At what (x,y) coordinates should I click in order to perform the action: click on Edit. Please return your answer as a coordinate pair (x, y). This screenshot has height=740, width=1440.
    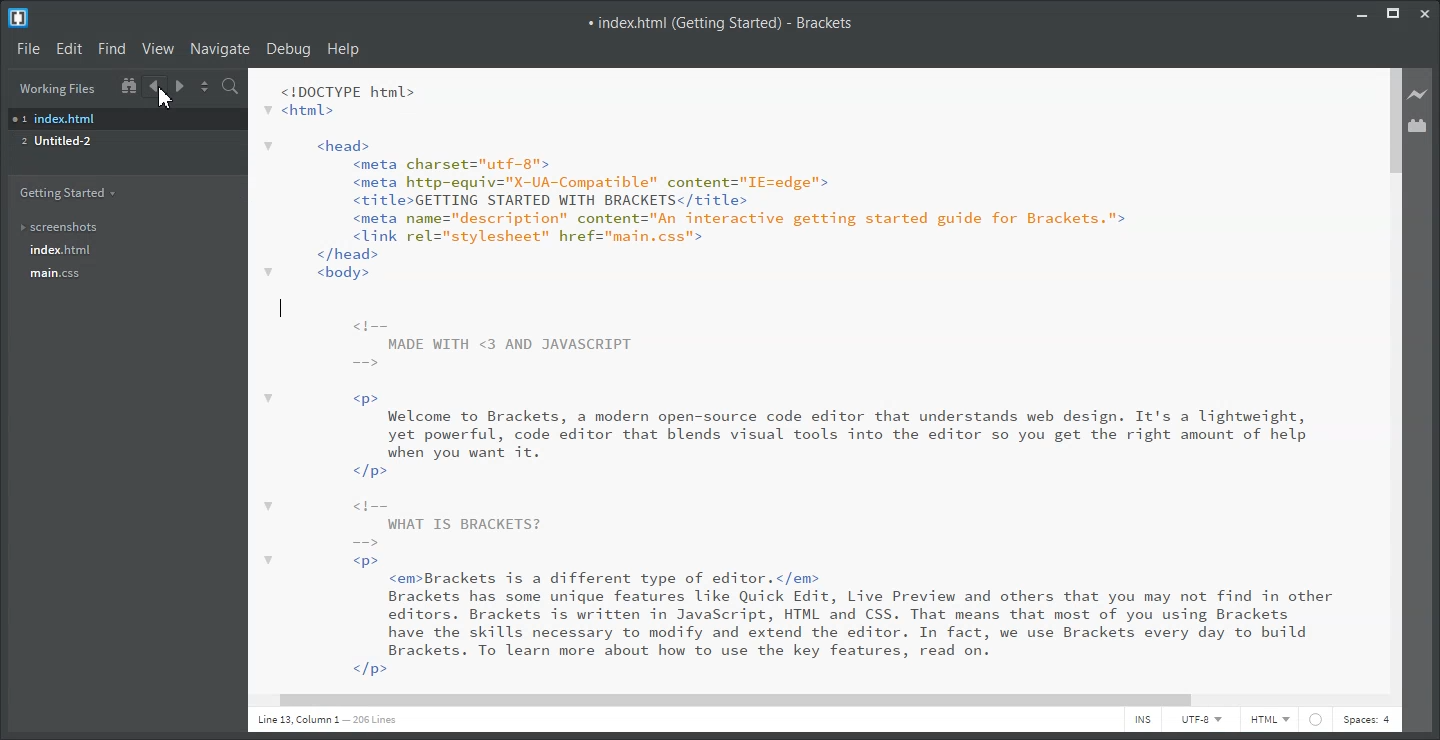
    Looking at the image, I should click on (69, 49).